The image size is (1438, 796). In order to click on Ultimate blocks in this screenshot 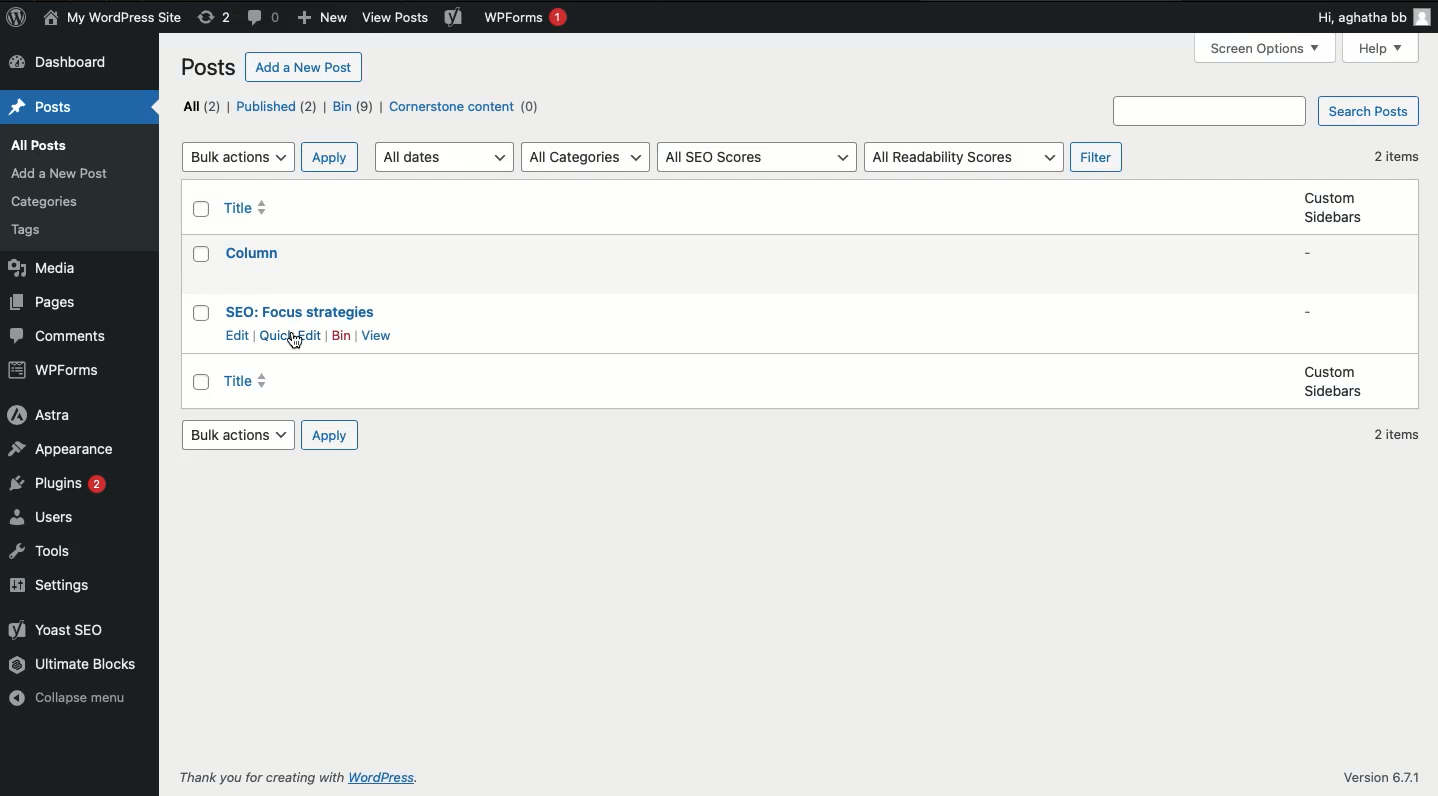, I will do `click(75, 664)`.